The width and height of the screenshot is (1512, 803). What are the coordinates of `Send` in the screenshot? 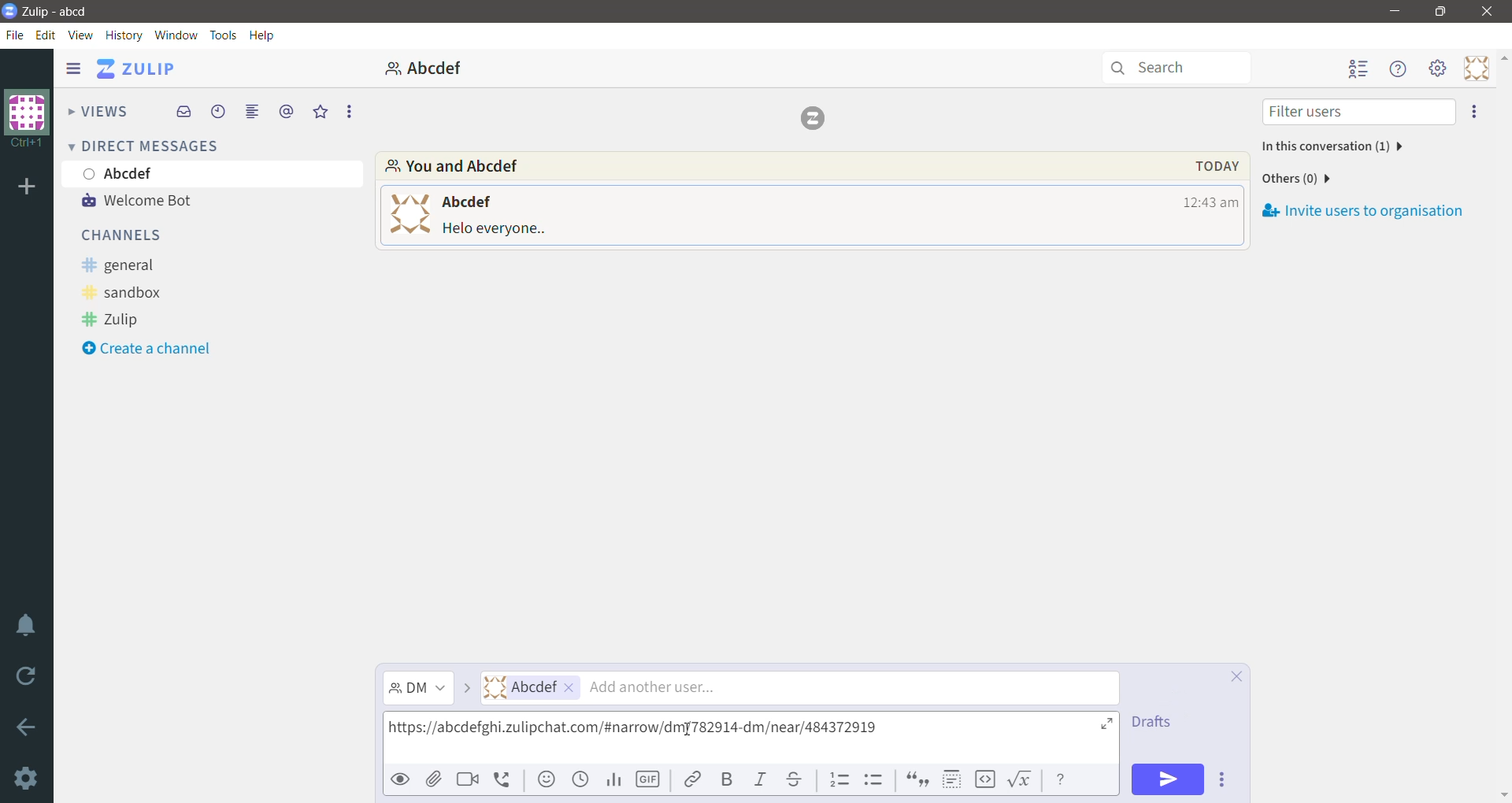 It's located at (1168, 779).